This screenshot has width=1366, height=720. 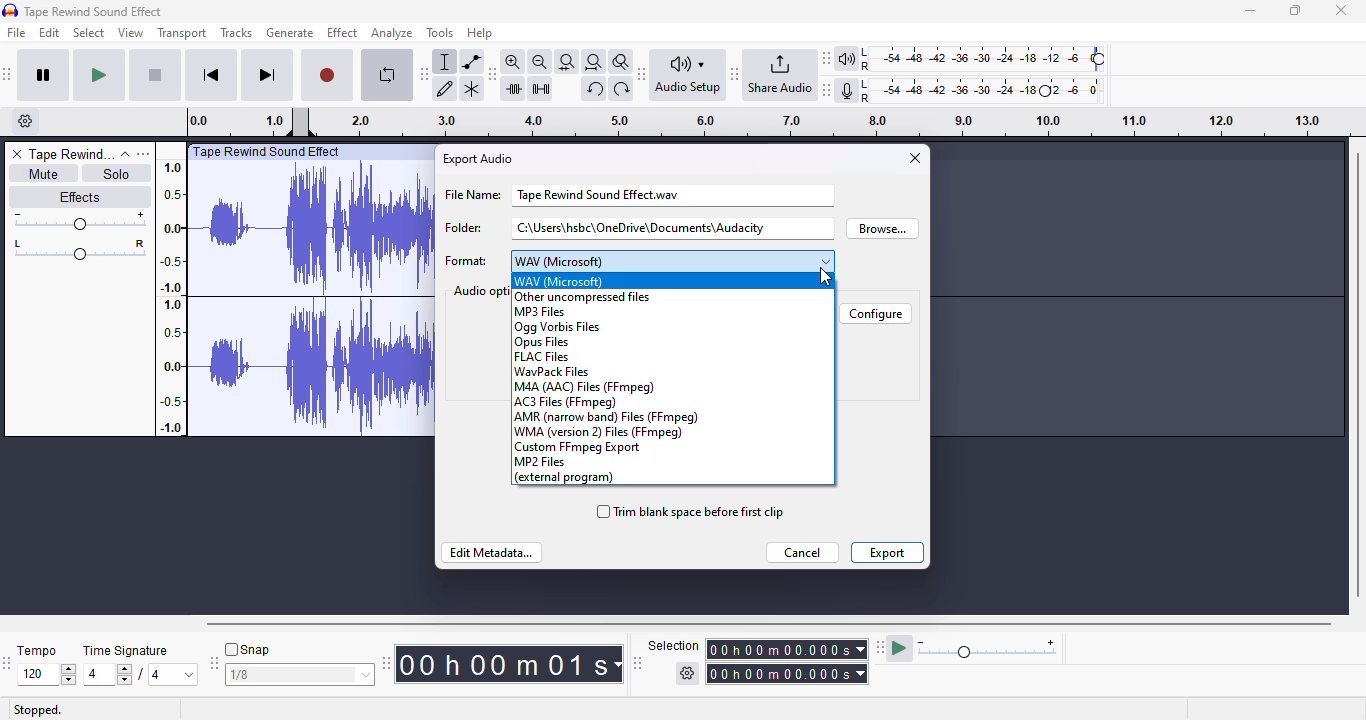 What do you see at coordinates (473, 61) in the screenshot?
I see `envelope tool` at bounding box center [473, 61].